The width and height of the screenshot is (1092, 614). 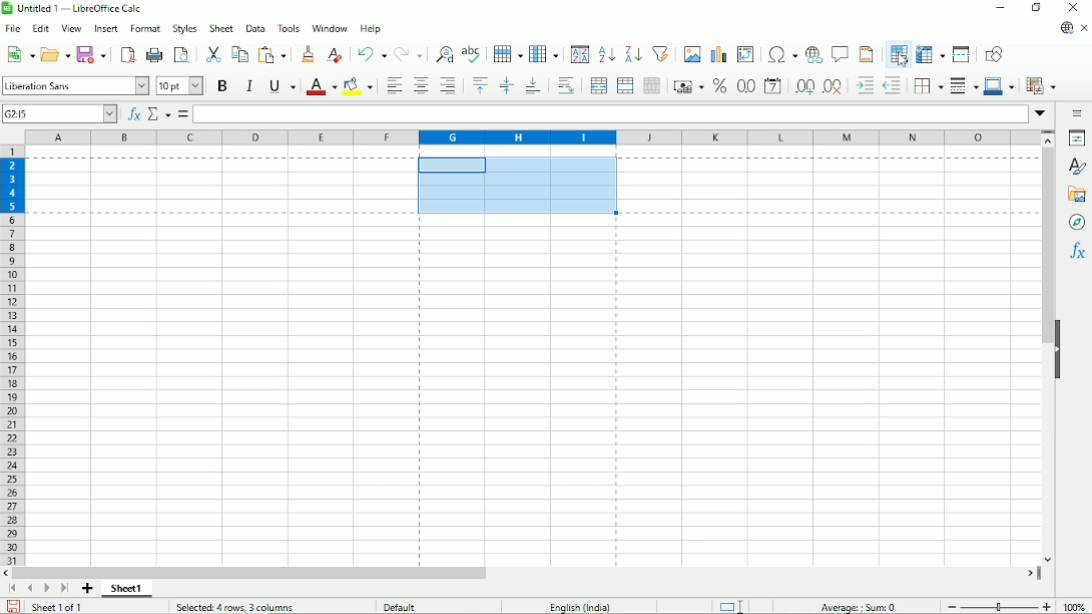 What do you see at coordinates (12, 606) in the screenshot?
I see `Save` at bounding box center [12, 606].